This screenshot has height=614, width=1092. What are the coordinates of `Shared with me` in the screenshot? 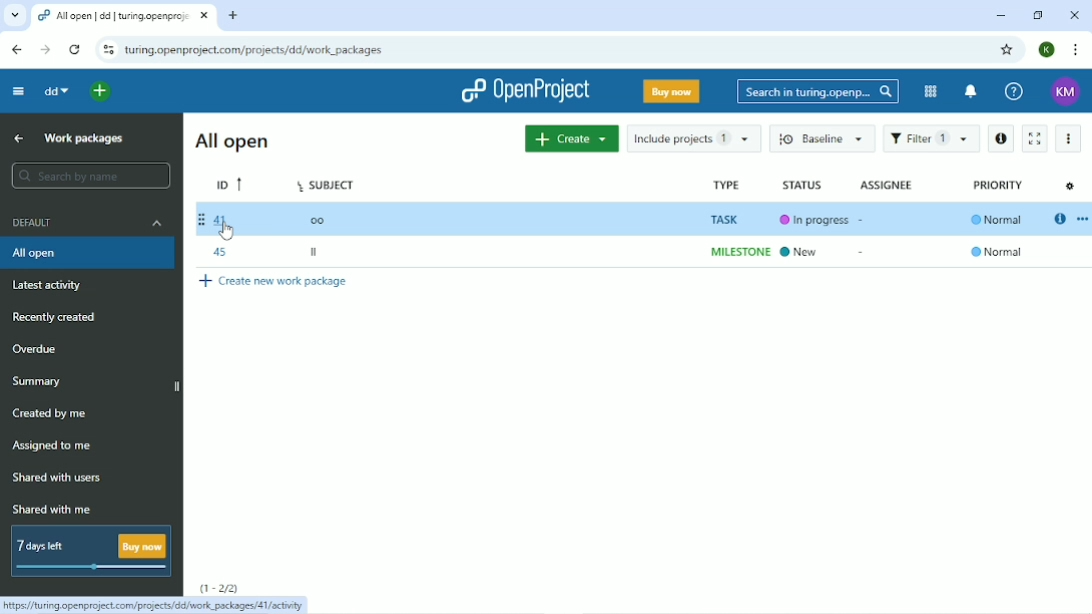 It's located at (51, 508).